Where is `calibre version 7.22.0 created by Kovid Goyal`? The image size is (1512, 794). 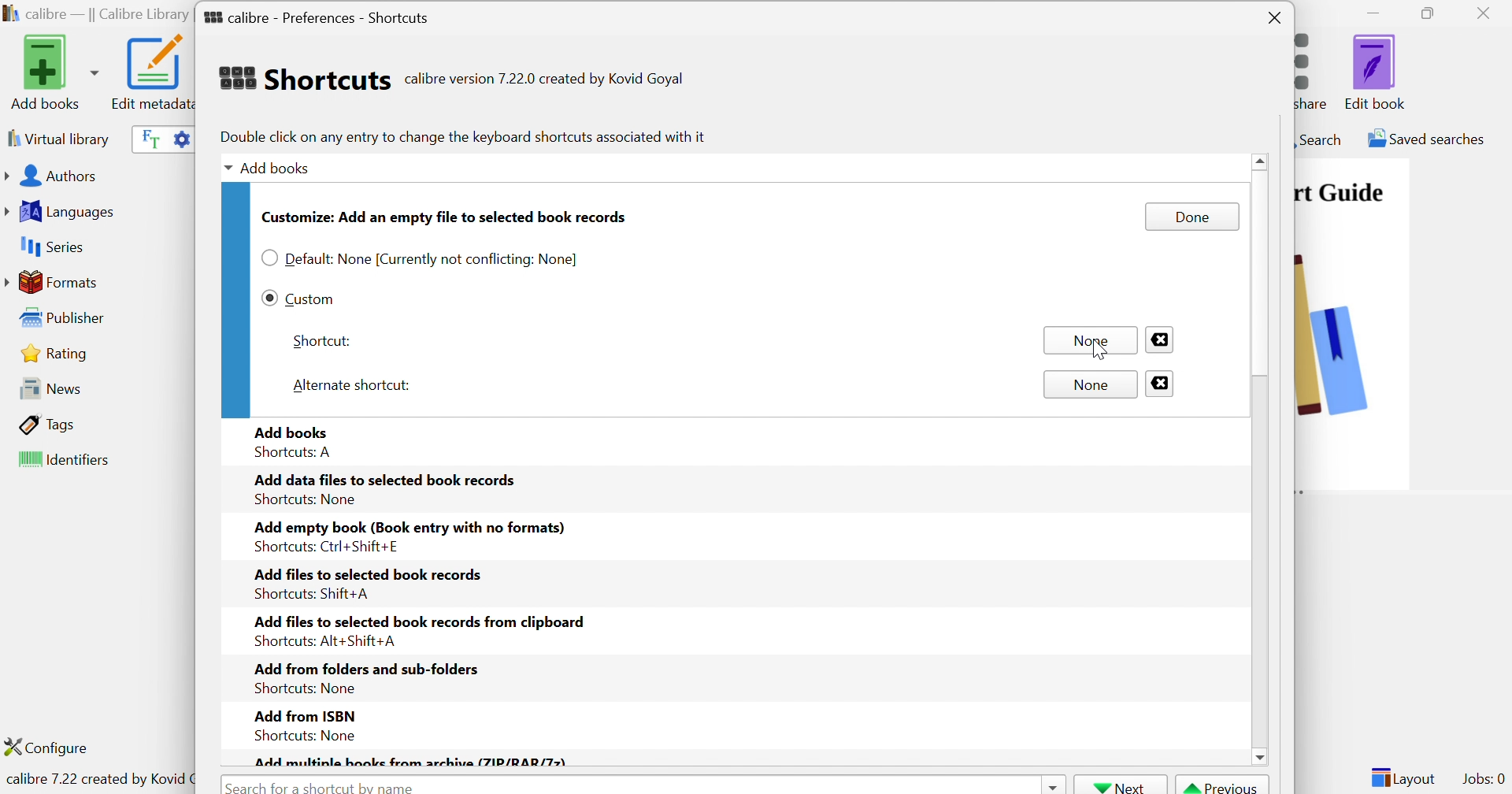
calibre version 7.22.0 created by Kovid Goyal is located at coordinates (544, 80).